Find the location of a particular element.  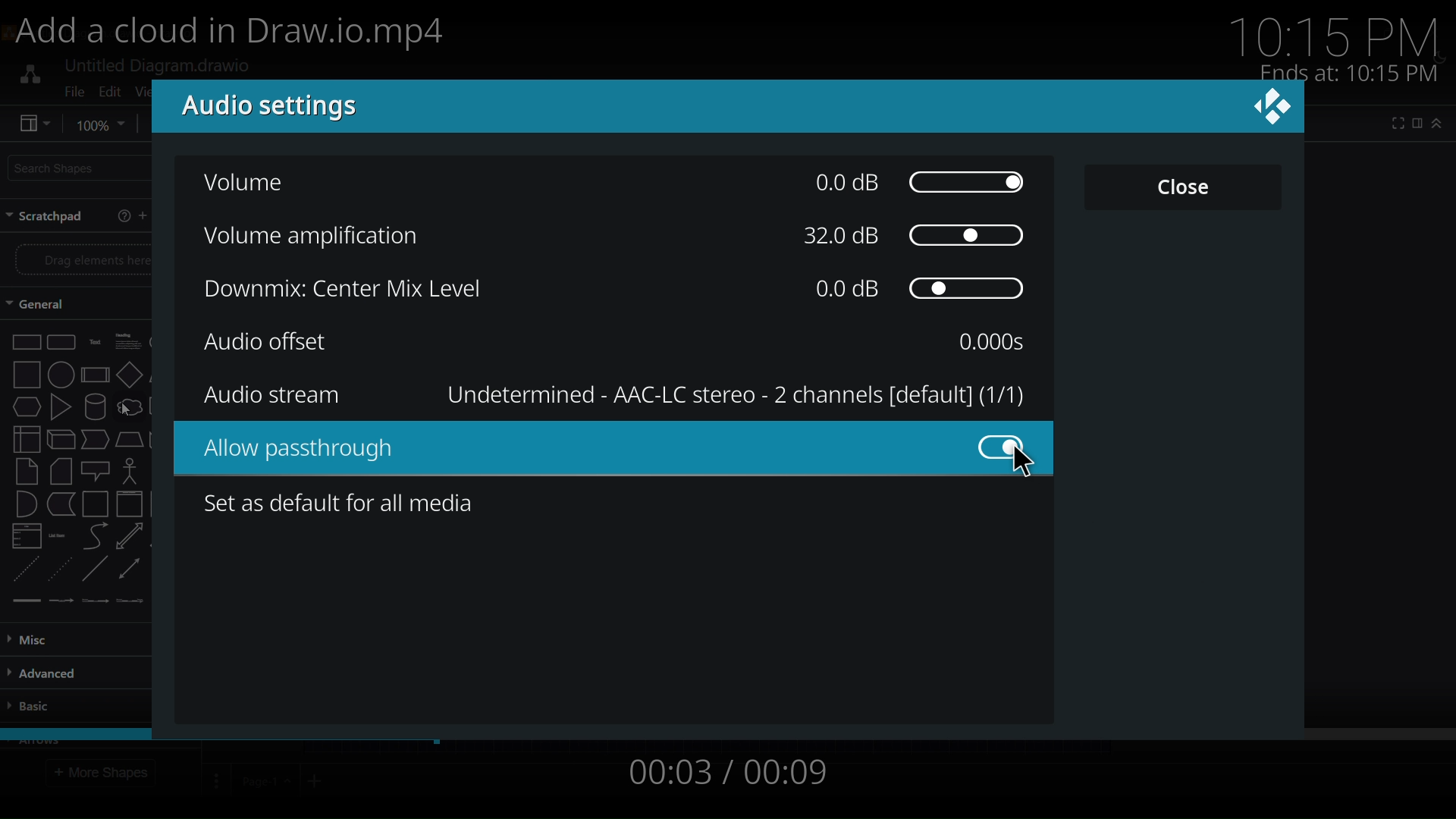

audio passthrough is located at coordinates (620, 449).